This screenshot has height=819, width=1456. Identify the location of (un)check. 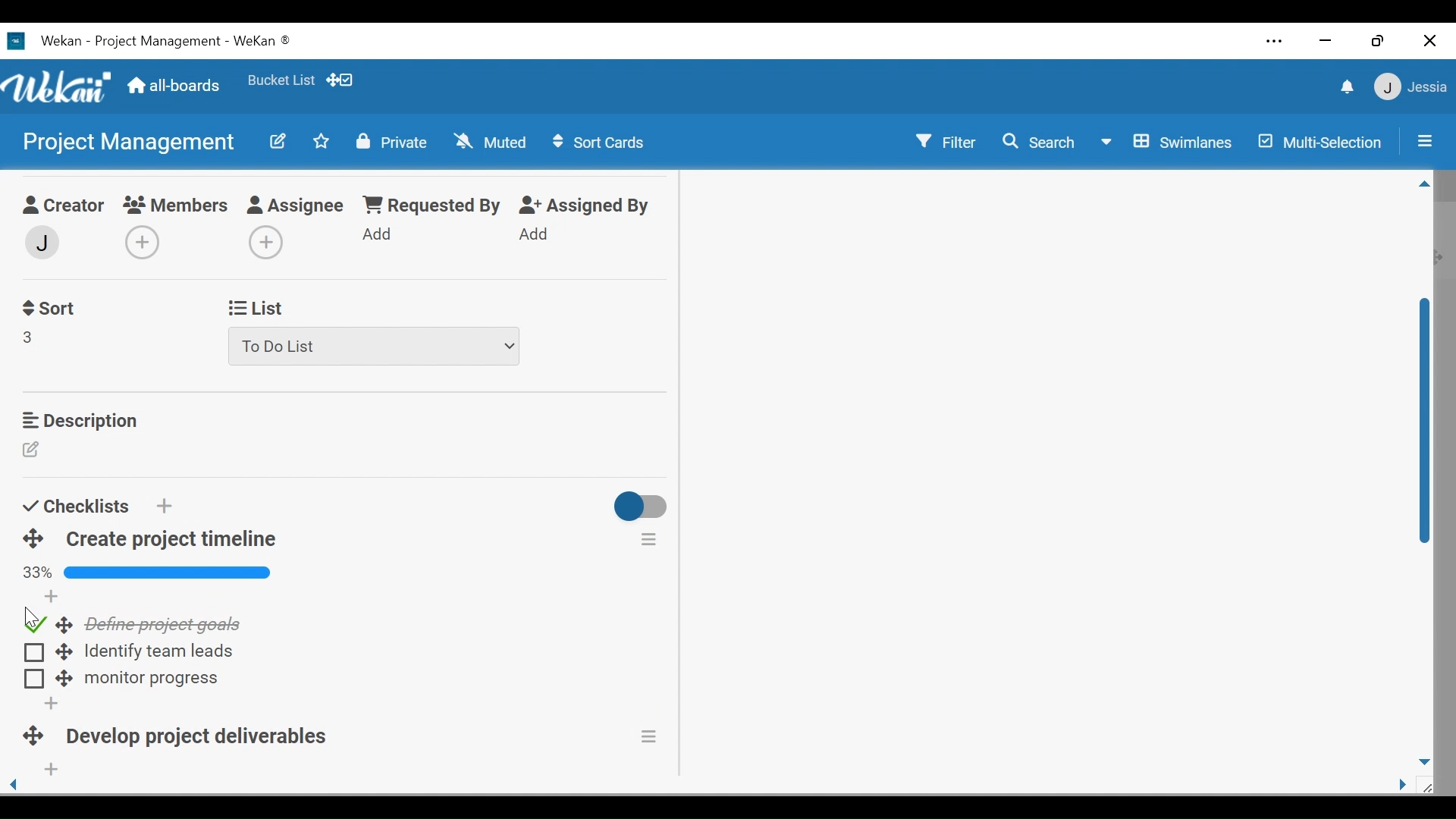
(31, 653).